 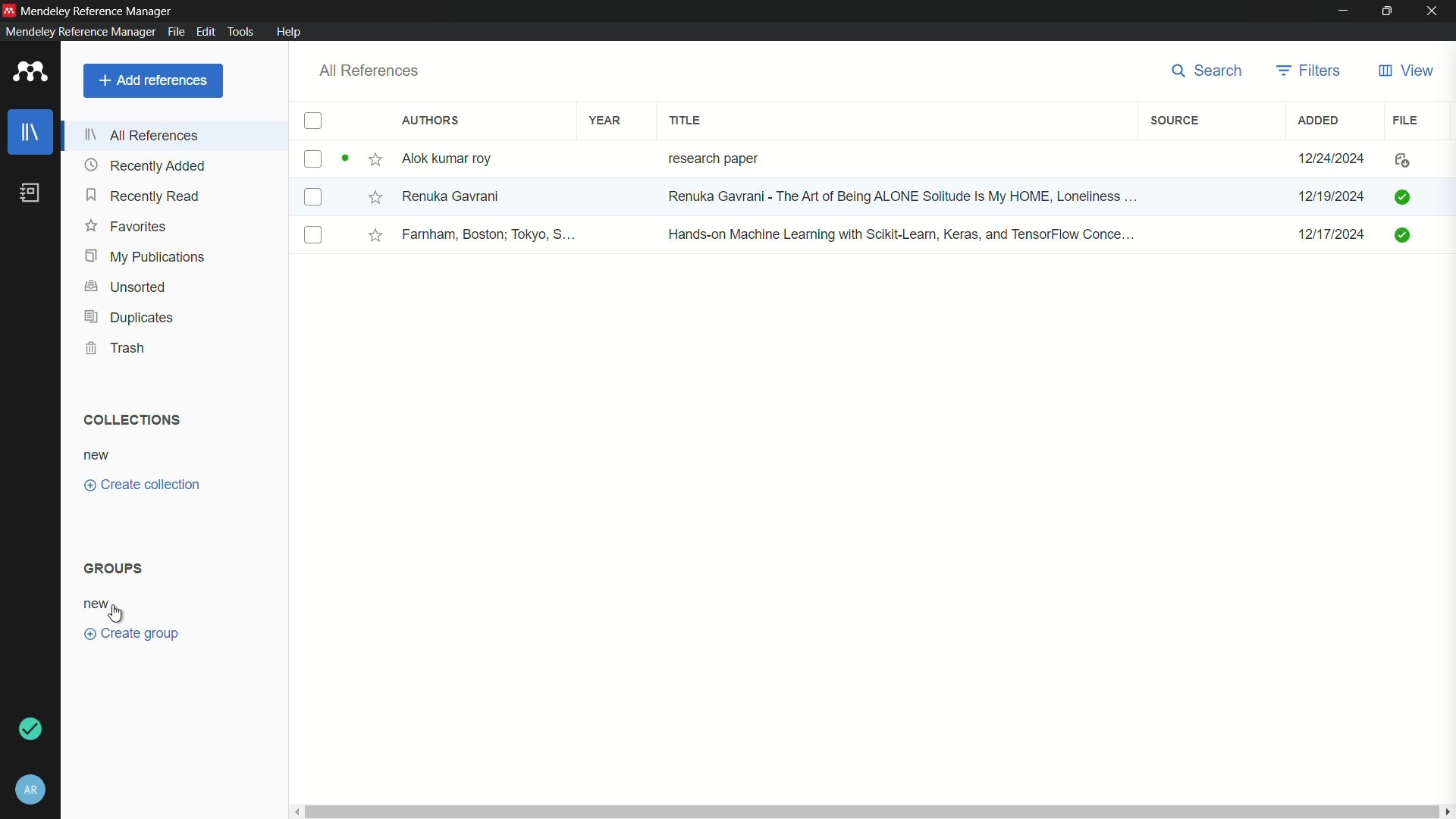 What do you see at coordinates (314, 236) in the screenshot?
I see `book-3` at bounding box center [314, 236].